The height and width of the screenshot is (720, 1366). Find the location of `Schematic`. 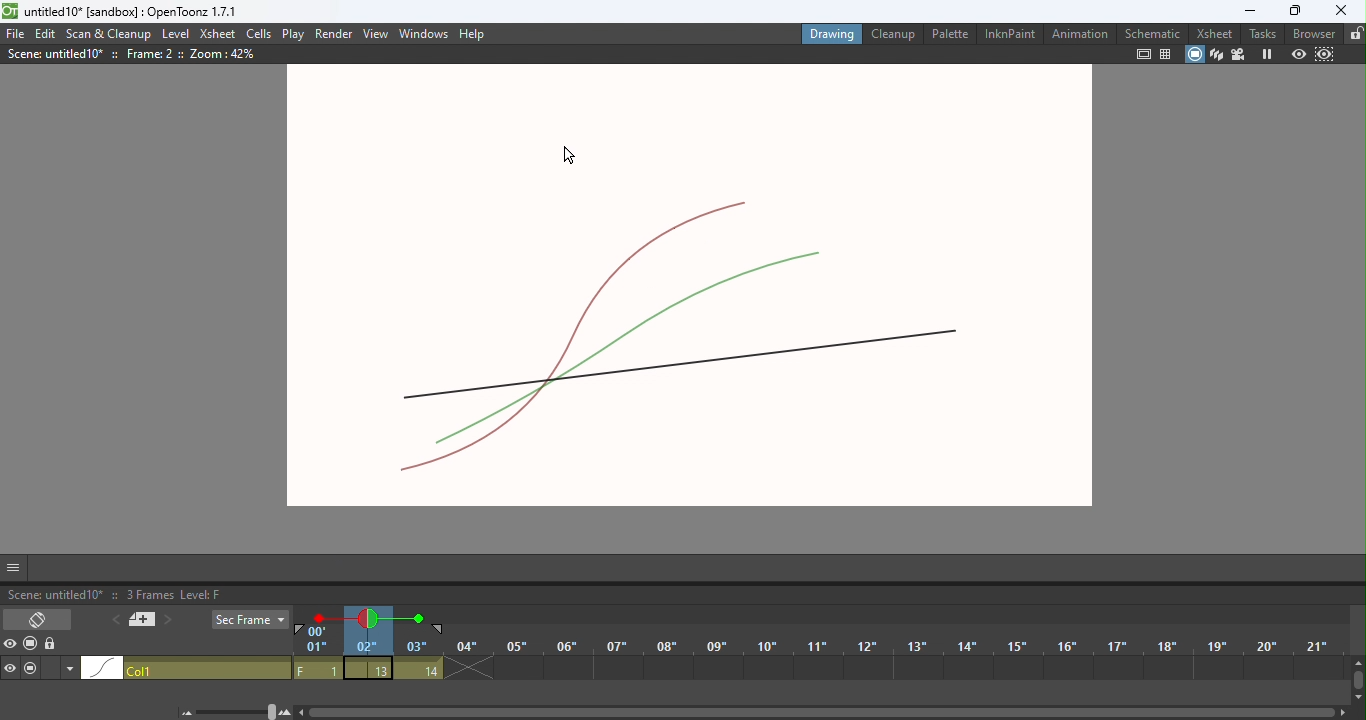

Schematic is located at coordinates (1150, 32).